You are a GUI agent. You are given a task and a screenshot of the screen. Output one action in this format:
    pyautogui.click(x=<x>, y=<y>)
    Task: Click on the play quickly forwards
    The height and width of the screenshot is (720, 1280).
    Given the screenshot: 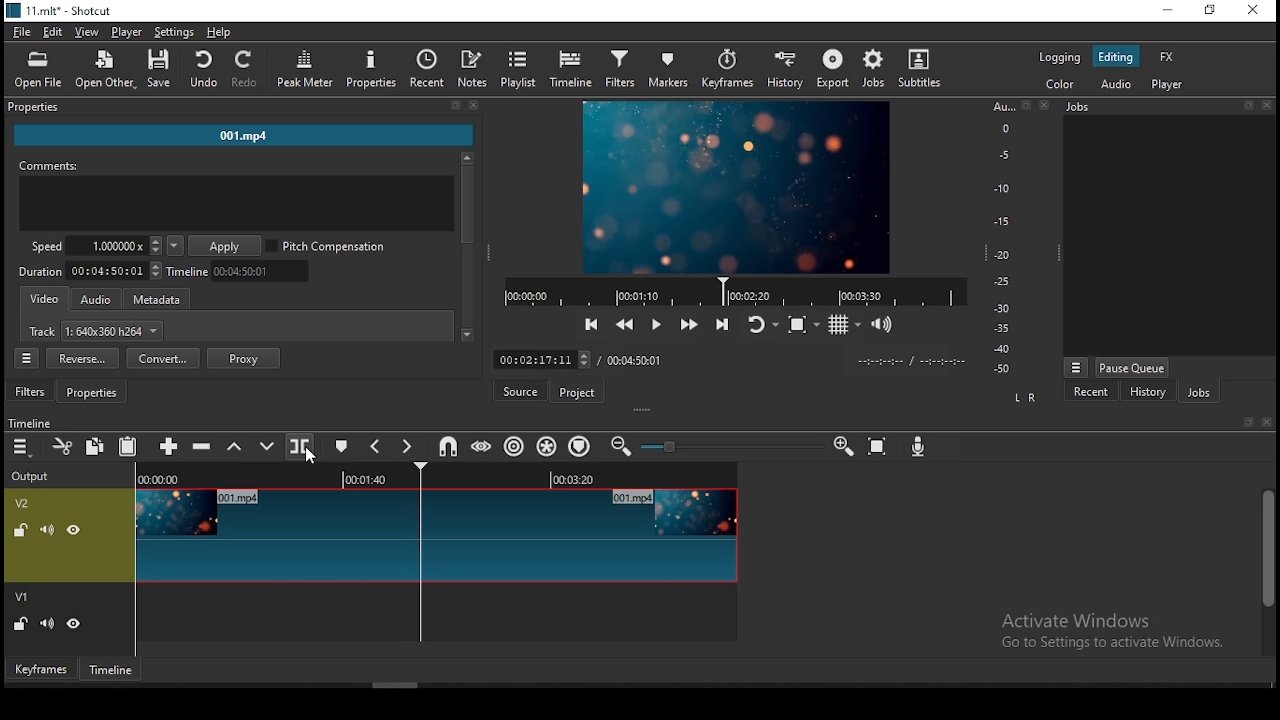 What is the action you would take?
    pyautogui.click(x=691, y=325)
    